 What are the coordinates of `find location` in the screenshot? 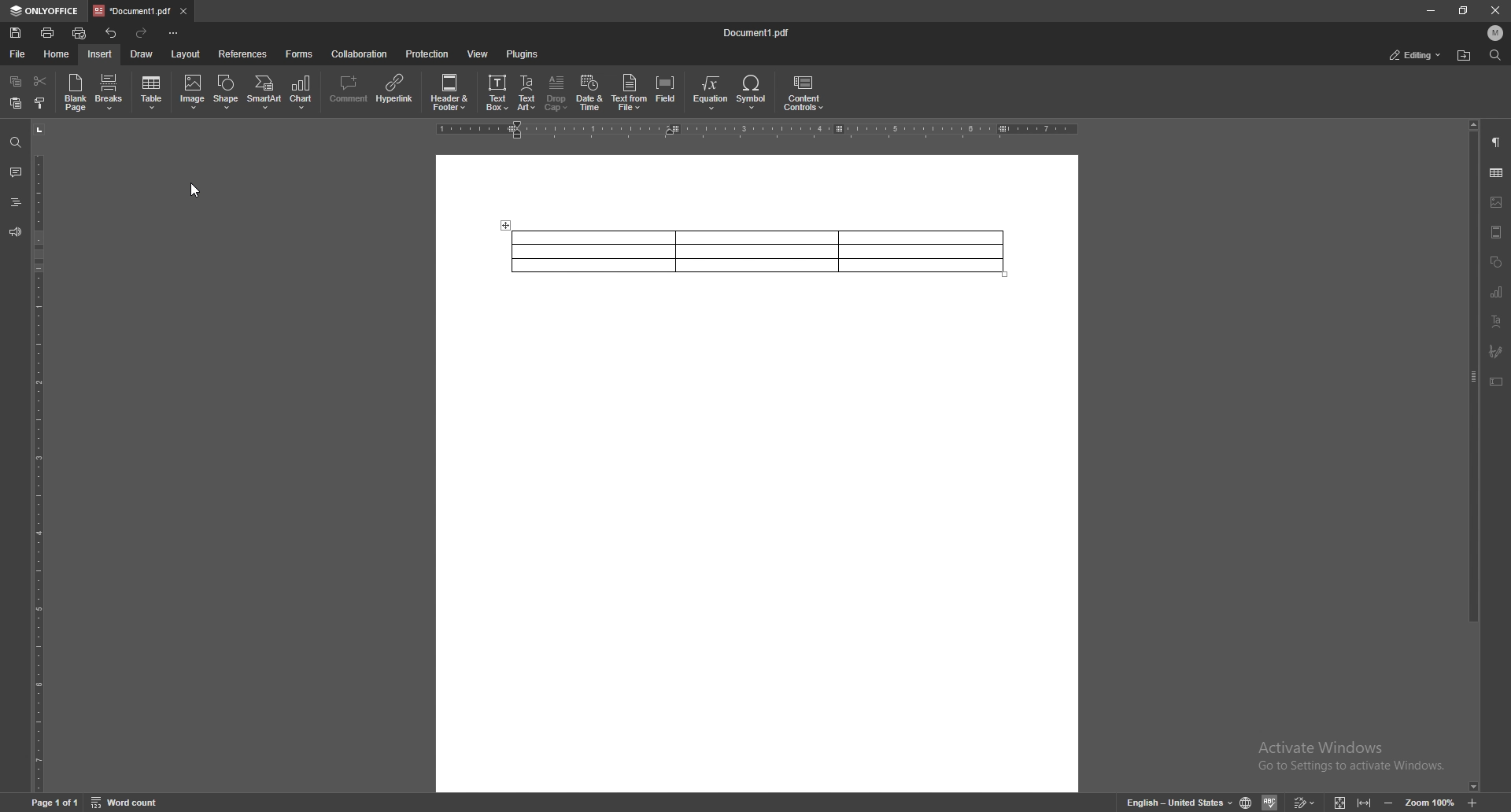 It's located at (1465, 55).